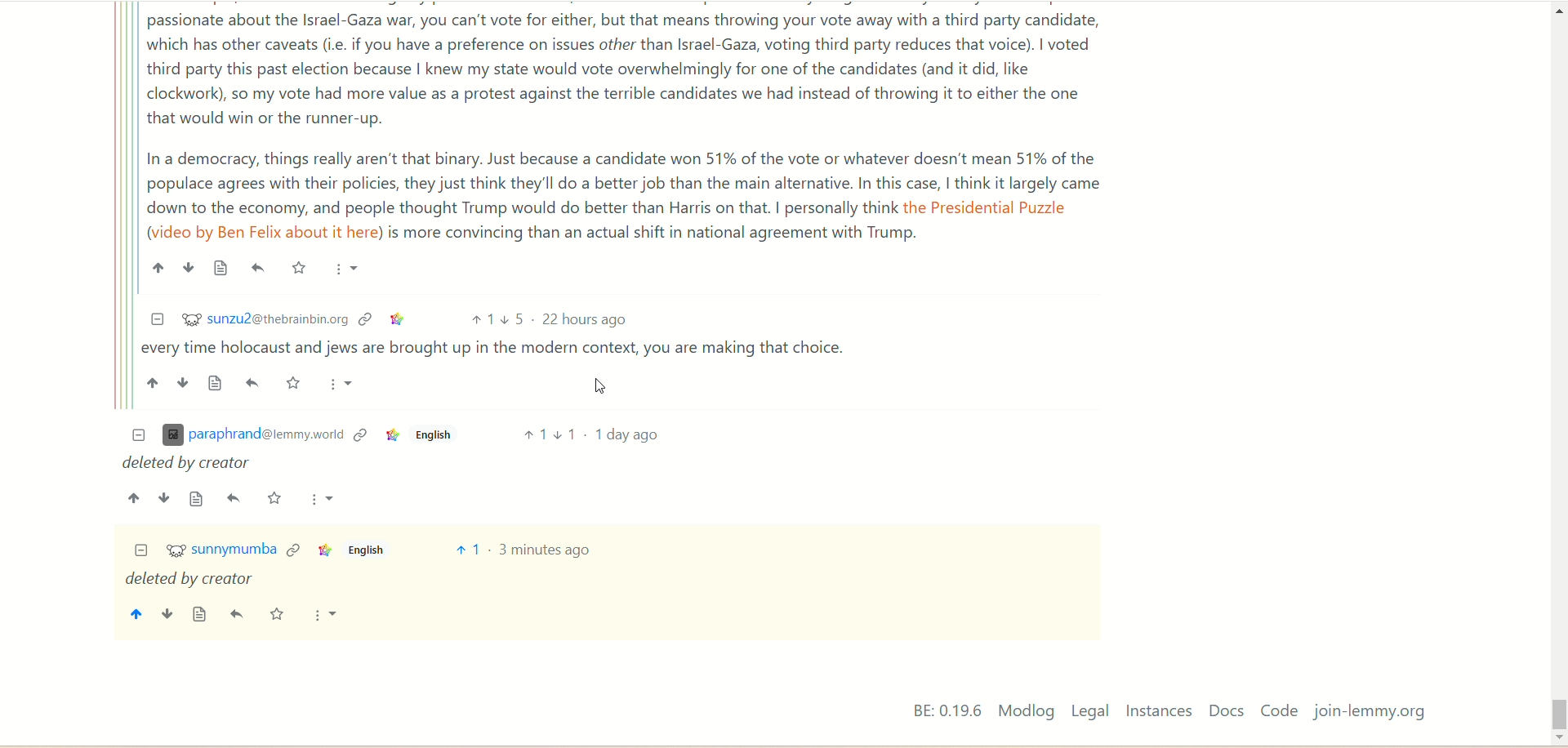  Describe the element at coordinates (197, 499) in the screenshot. I see `Source` at that location.